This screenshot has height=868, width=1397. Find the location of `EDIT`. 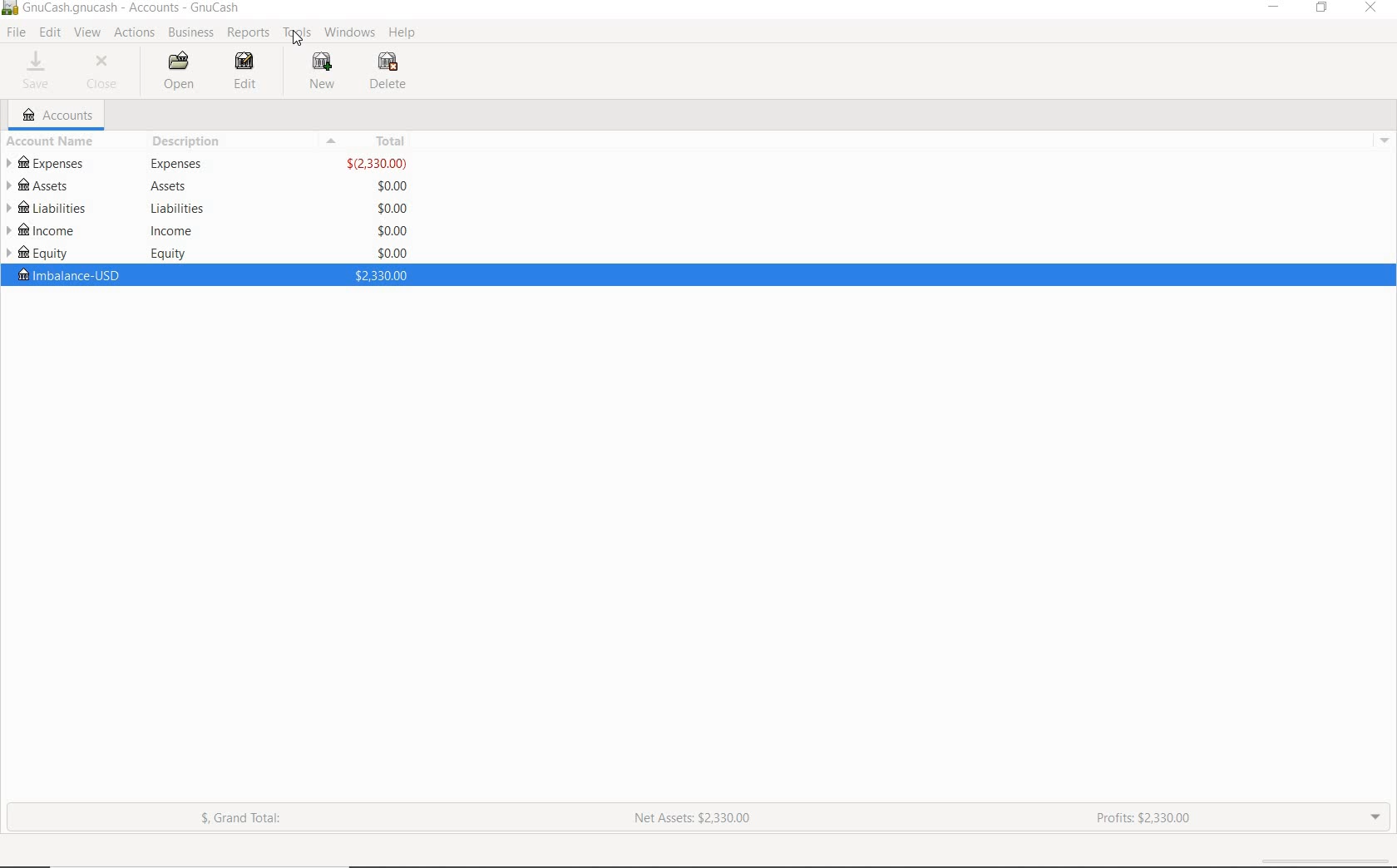

EDIT is located at coordinates (50, 33).